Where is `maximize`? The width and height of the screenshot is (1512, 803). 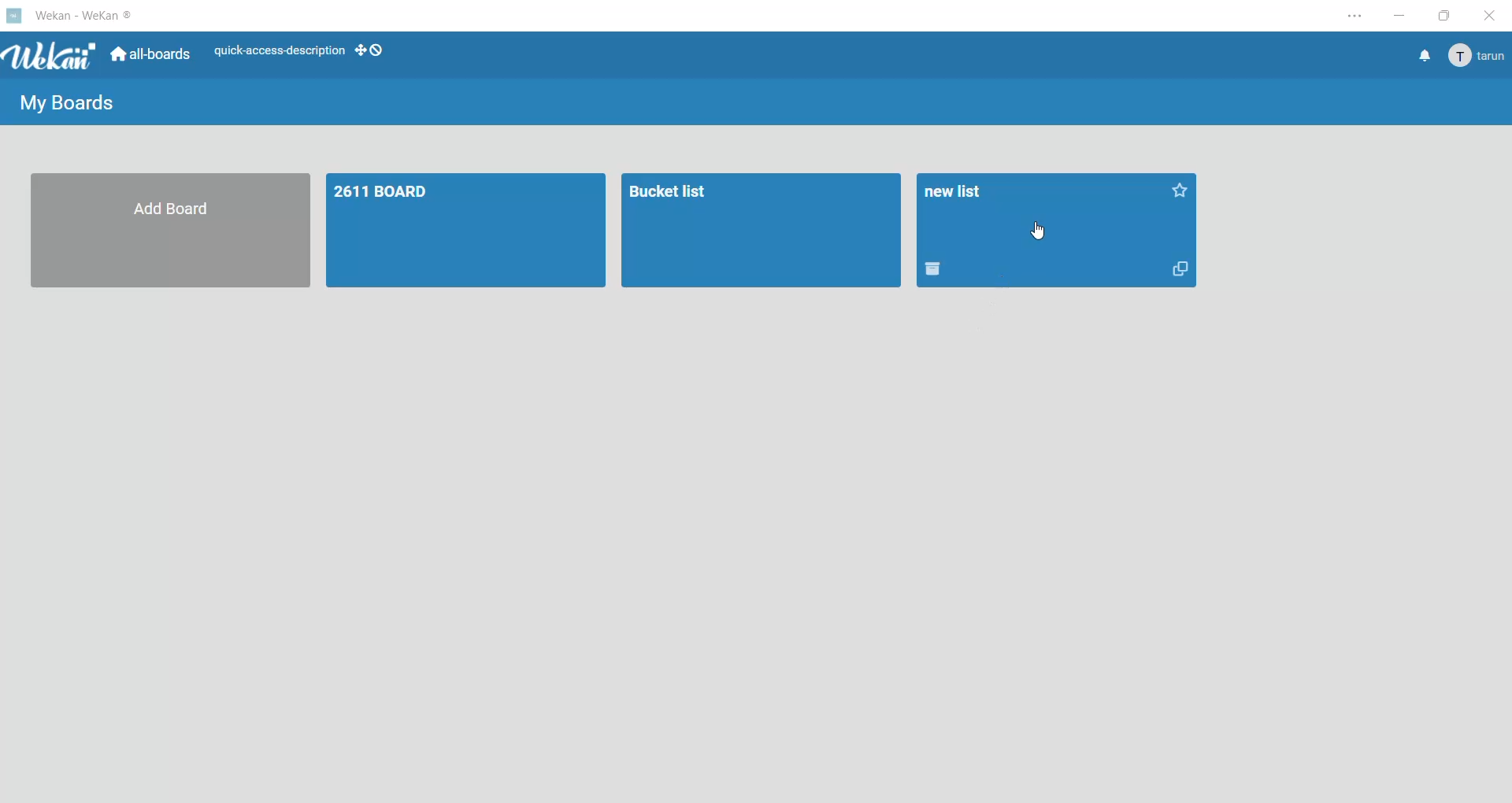
maximize is located at coordinates (1446, 16).